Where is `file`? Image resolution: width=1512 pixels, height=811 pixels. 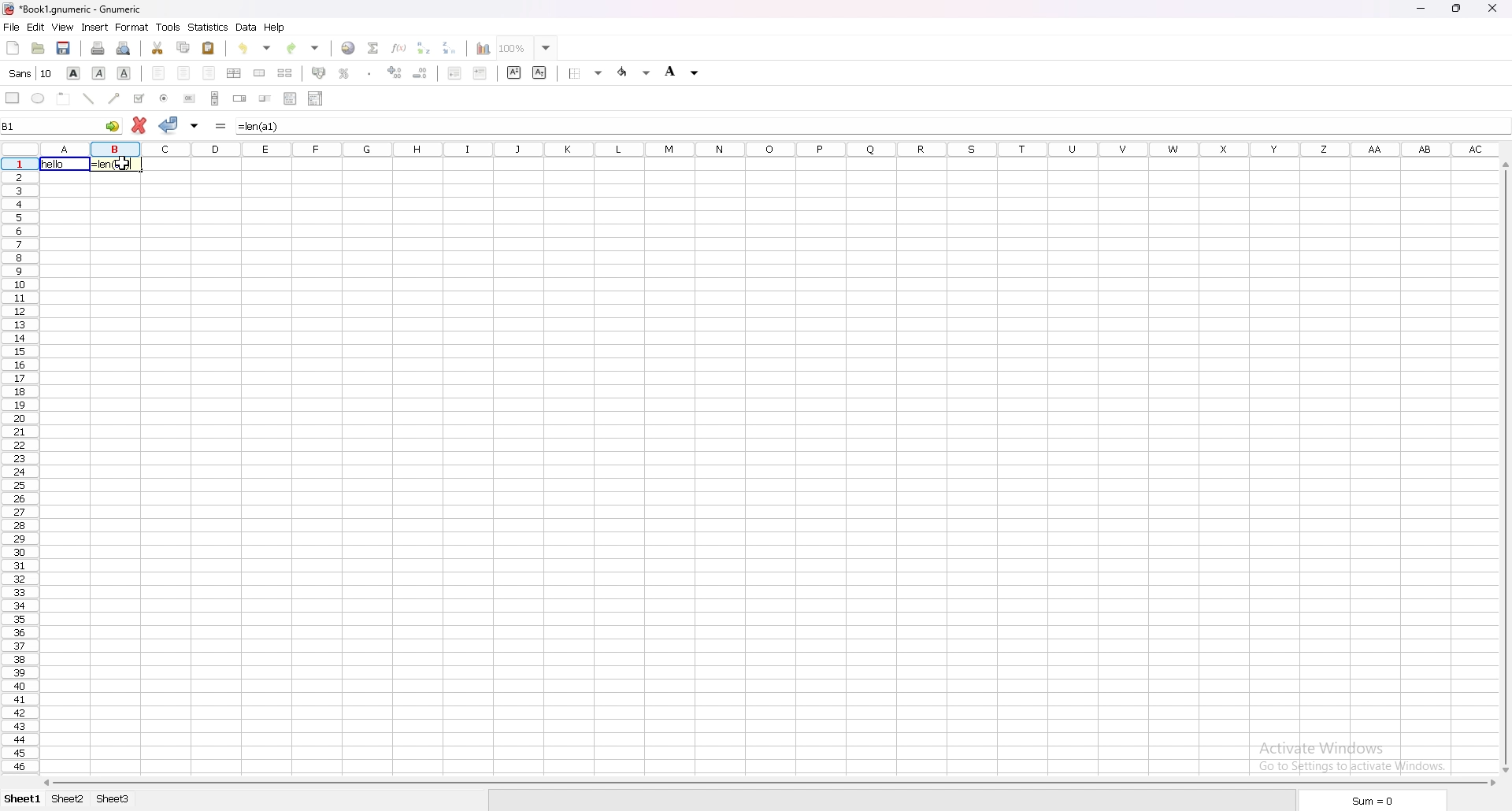 file is located at coordinates (11, 27).